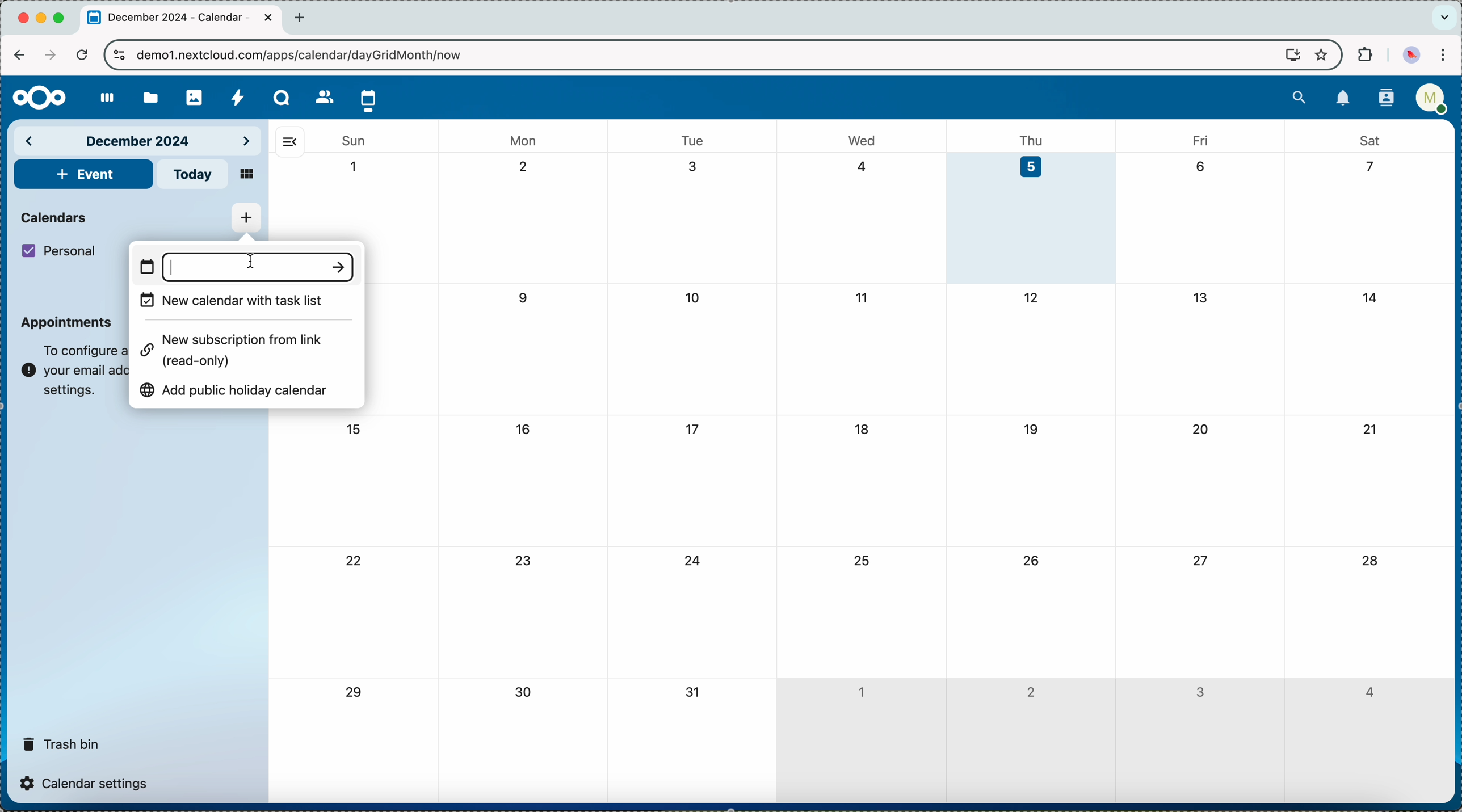 This screenshot has width=1462, height=812. What do you see at coordinates (1369, 140) in the screenshot?
I see `sat` at bounding box center [1369, 140].